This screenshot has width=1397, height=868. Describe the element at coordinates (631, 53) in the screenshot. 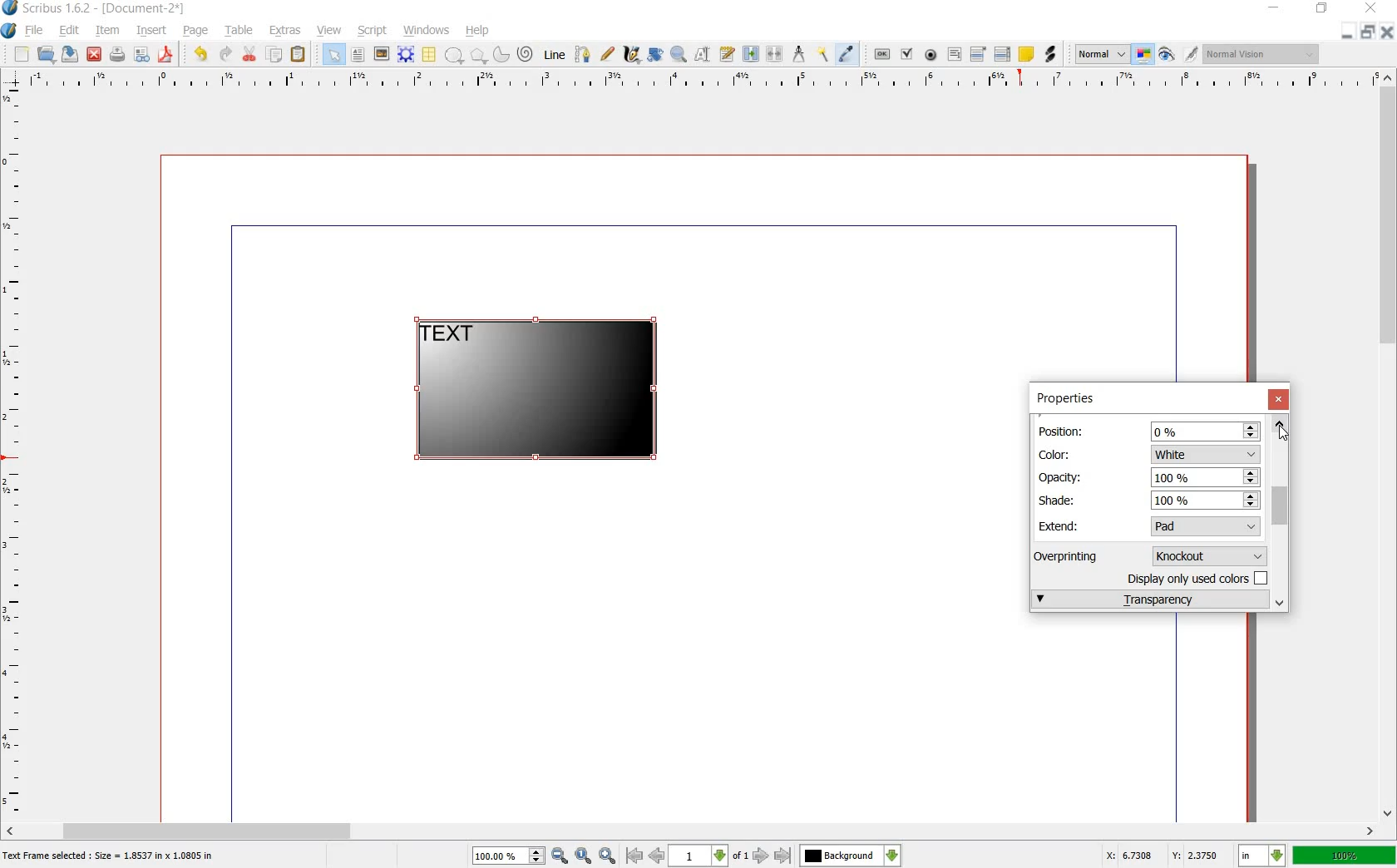

I see `calligraphic line` at that location.